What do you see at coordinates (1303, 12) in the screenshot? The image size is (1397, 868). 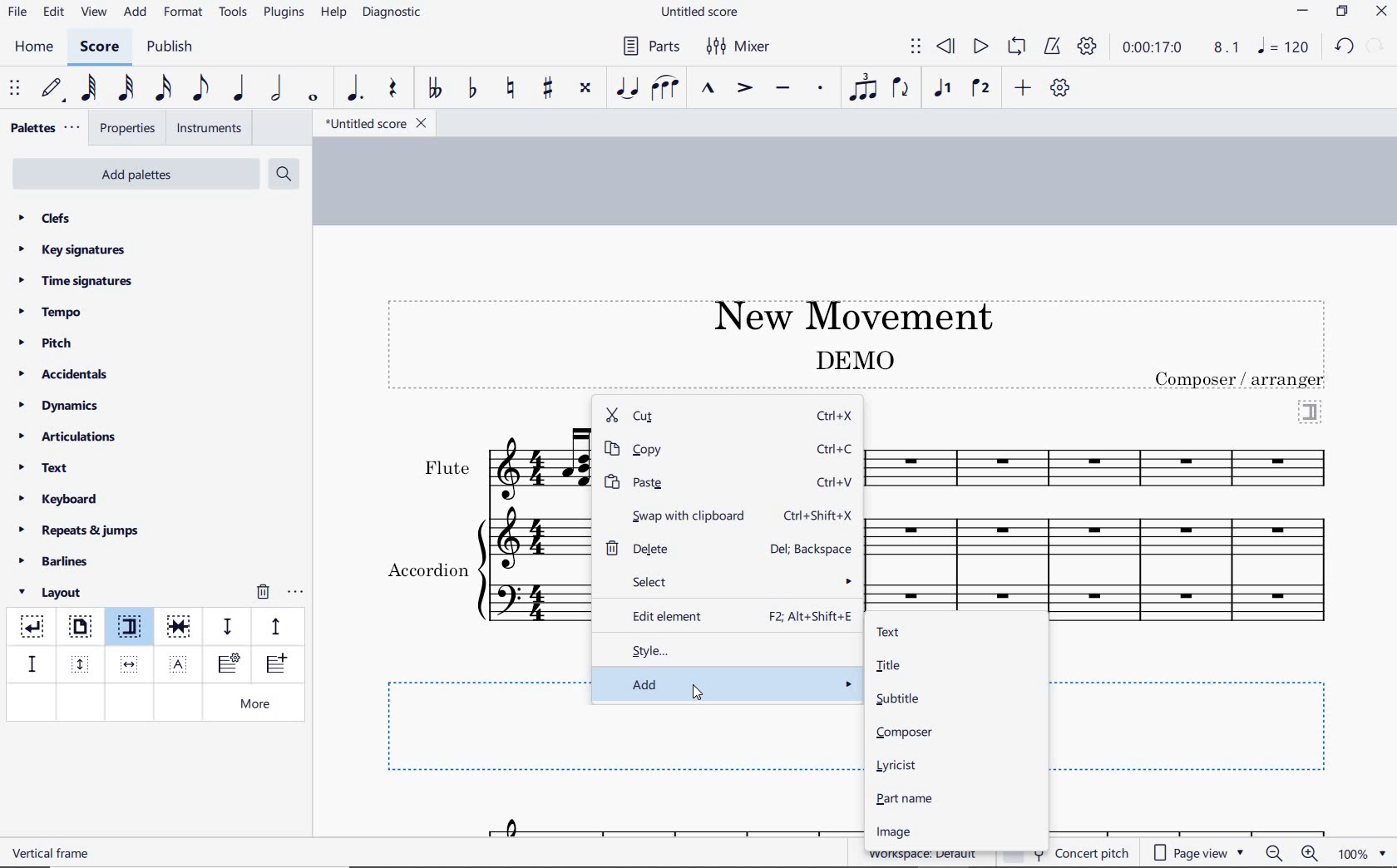 I see `minimize` at bounding box center [1303, 12].